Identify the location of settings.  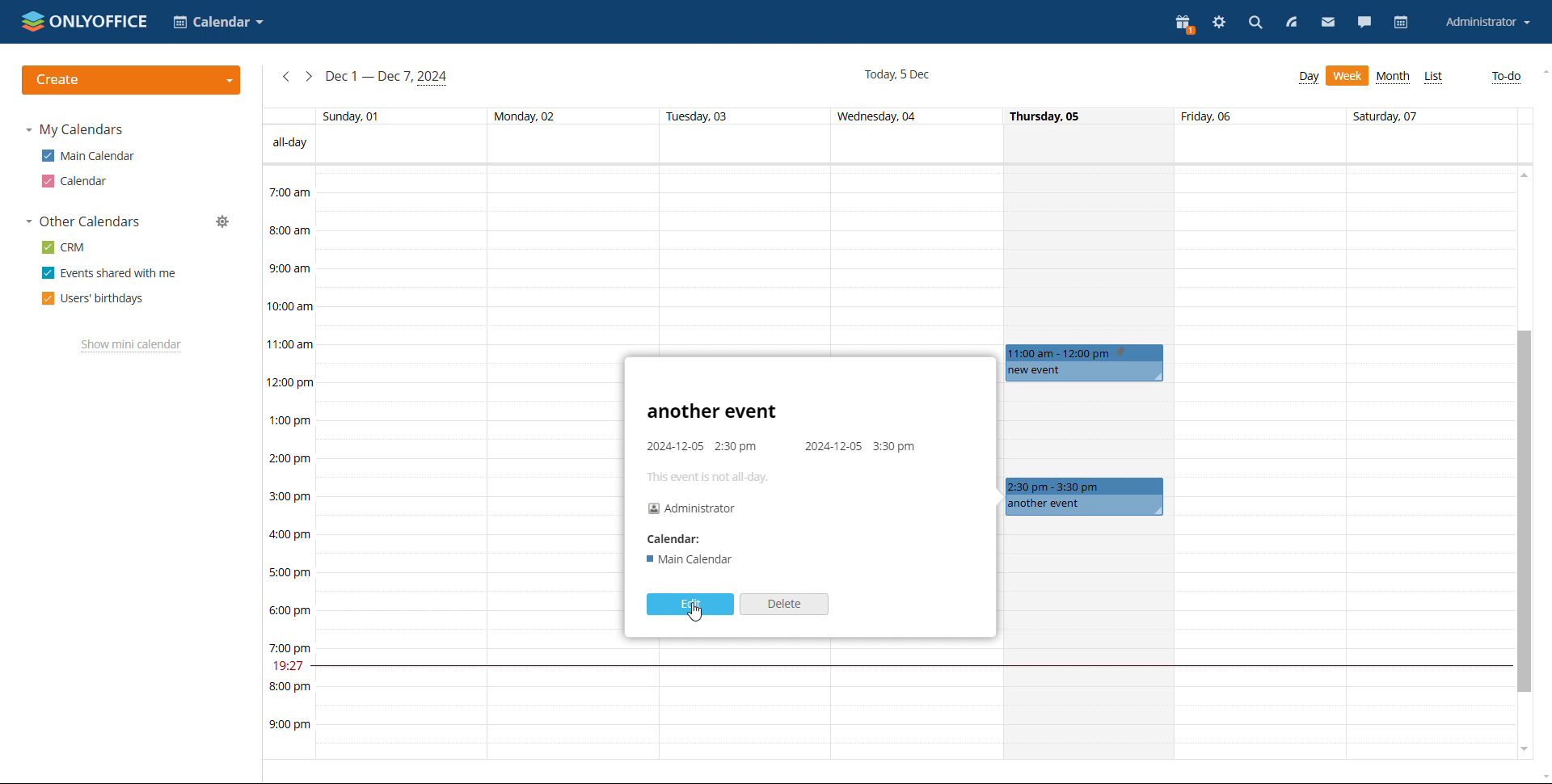
(1221, 23).